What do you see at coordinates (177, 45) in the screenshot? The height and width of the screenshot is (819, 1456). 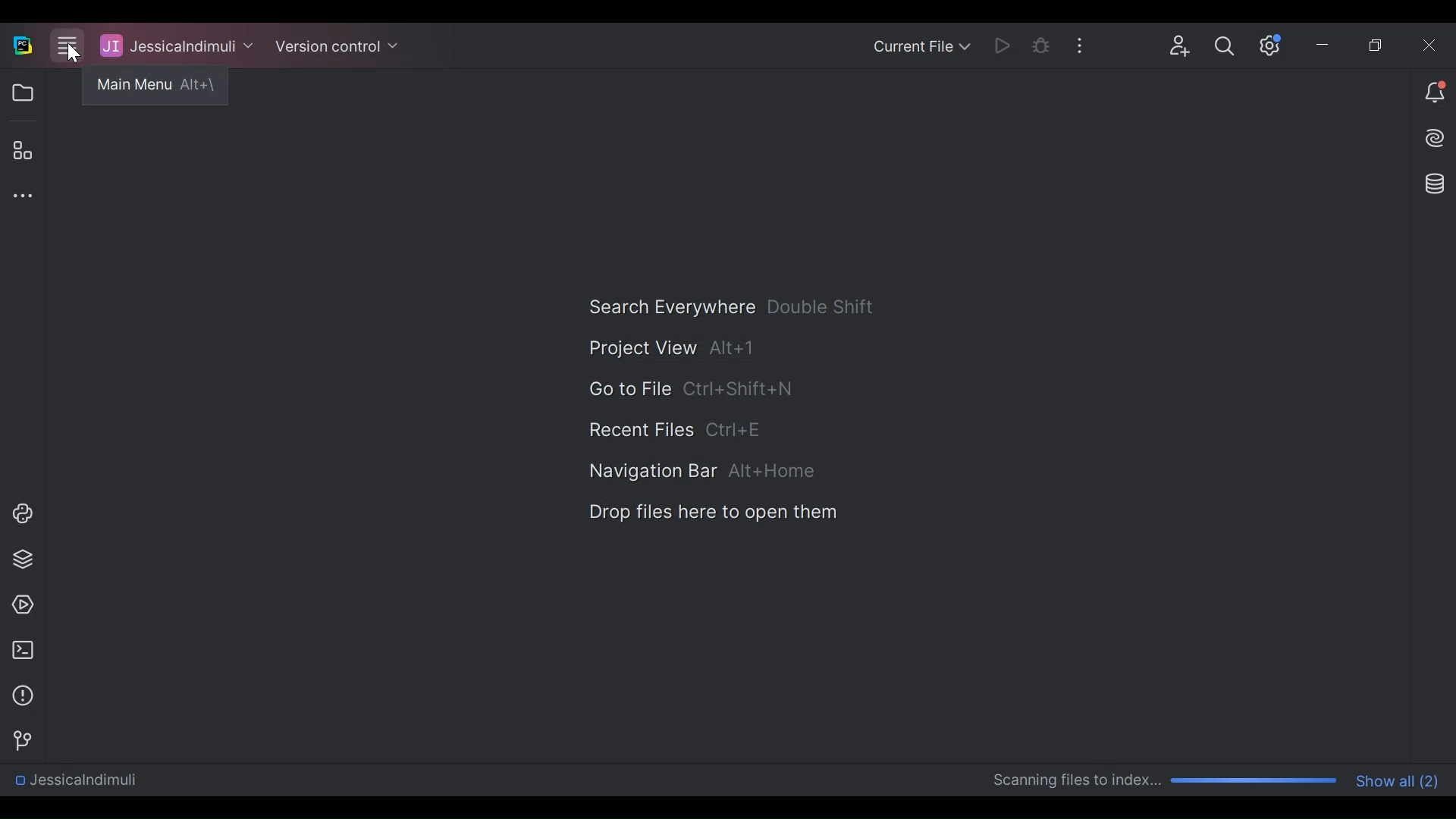 I see `Project Name` at bounding box center [177, 45].